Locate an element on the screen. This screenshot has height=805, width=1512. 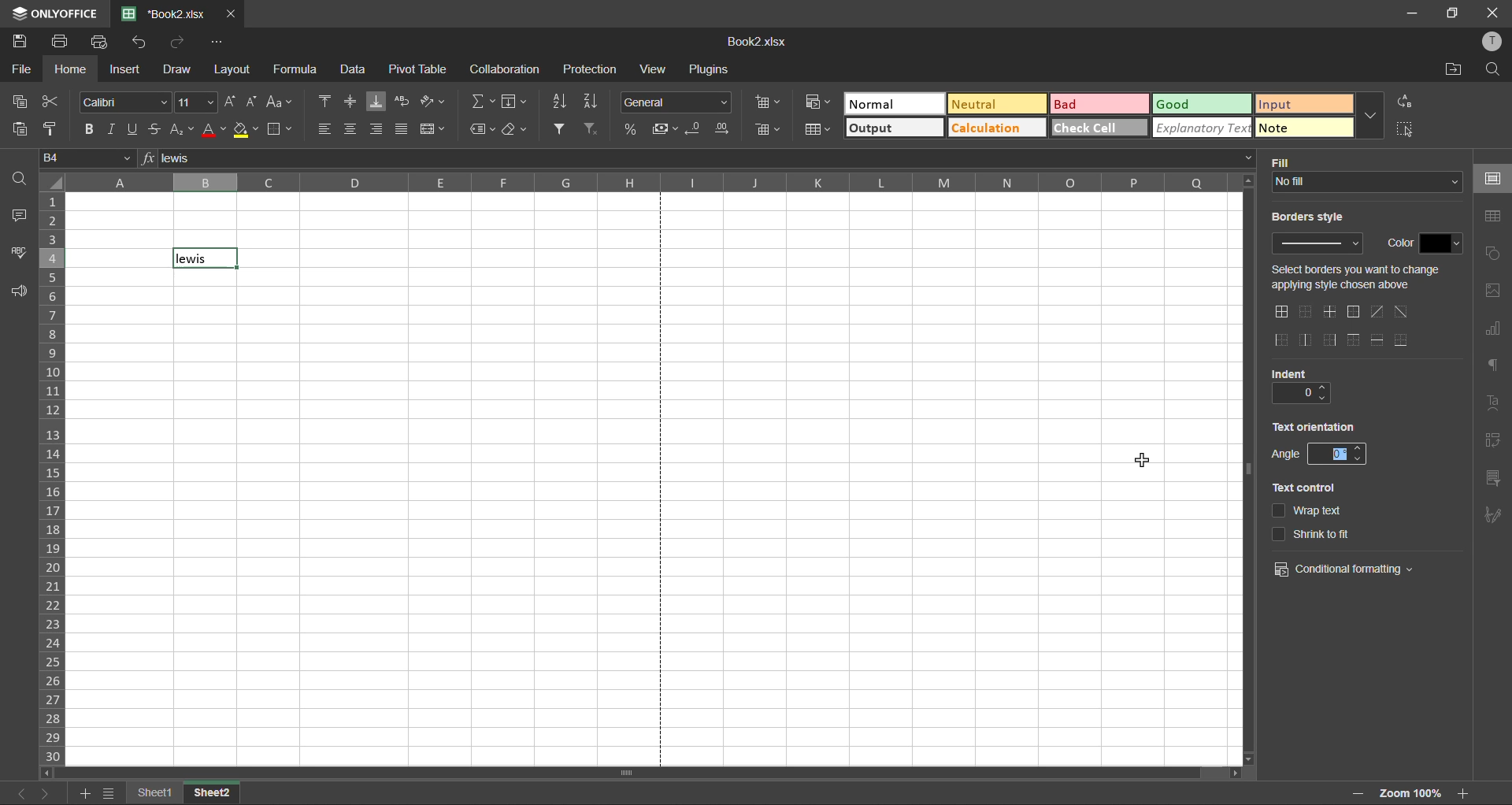
select all cells is located at coordinates (49, 182).